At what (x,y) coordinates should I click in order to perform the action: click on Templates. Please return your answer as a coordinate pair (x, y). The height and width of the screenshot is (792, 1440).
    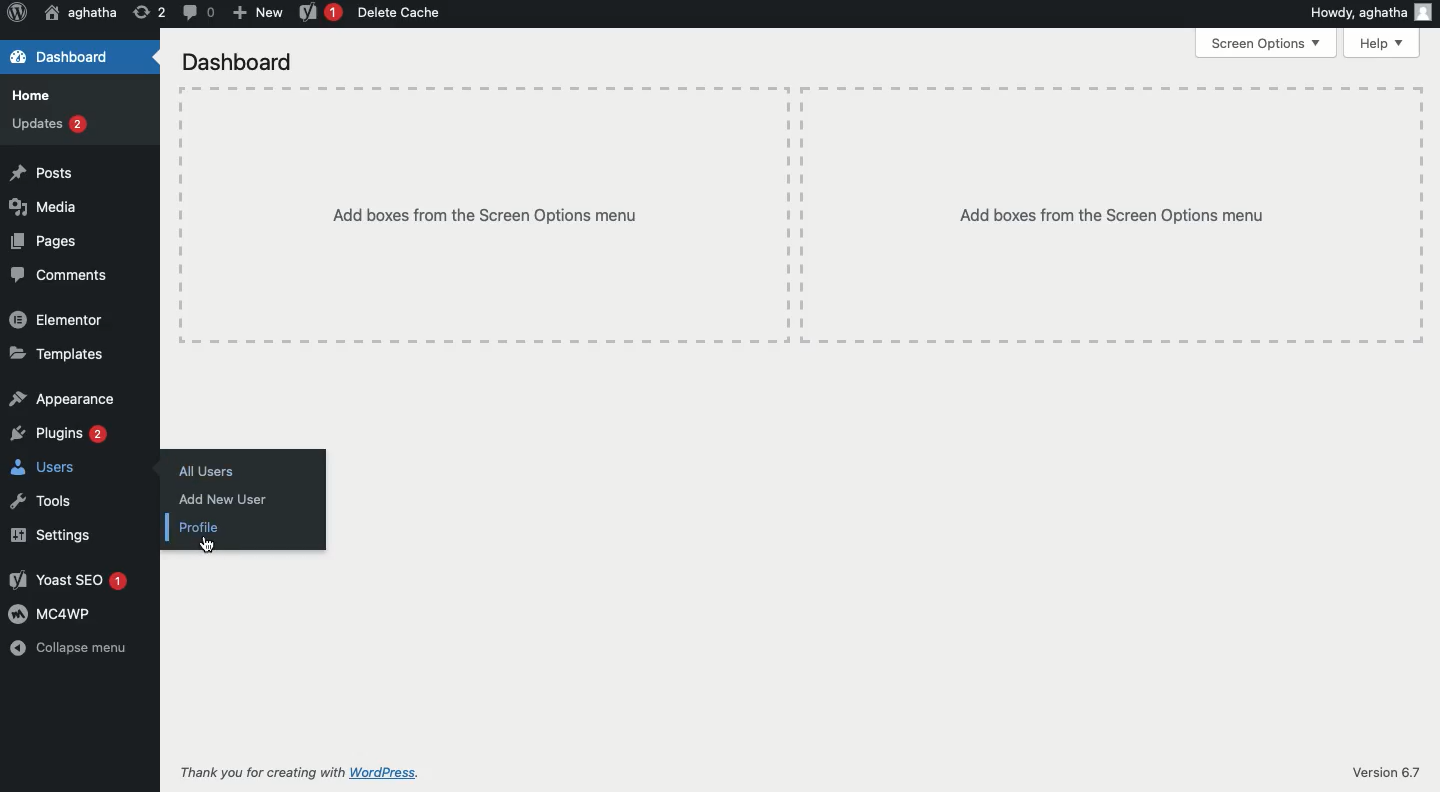
    Looking at the image, I should click on (58, 355).